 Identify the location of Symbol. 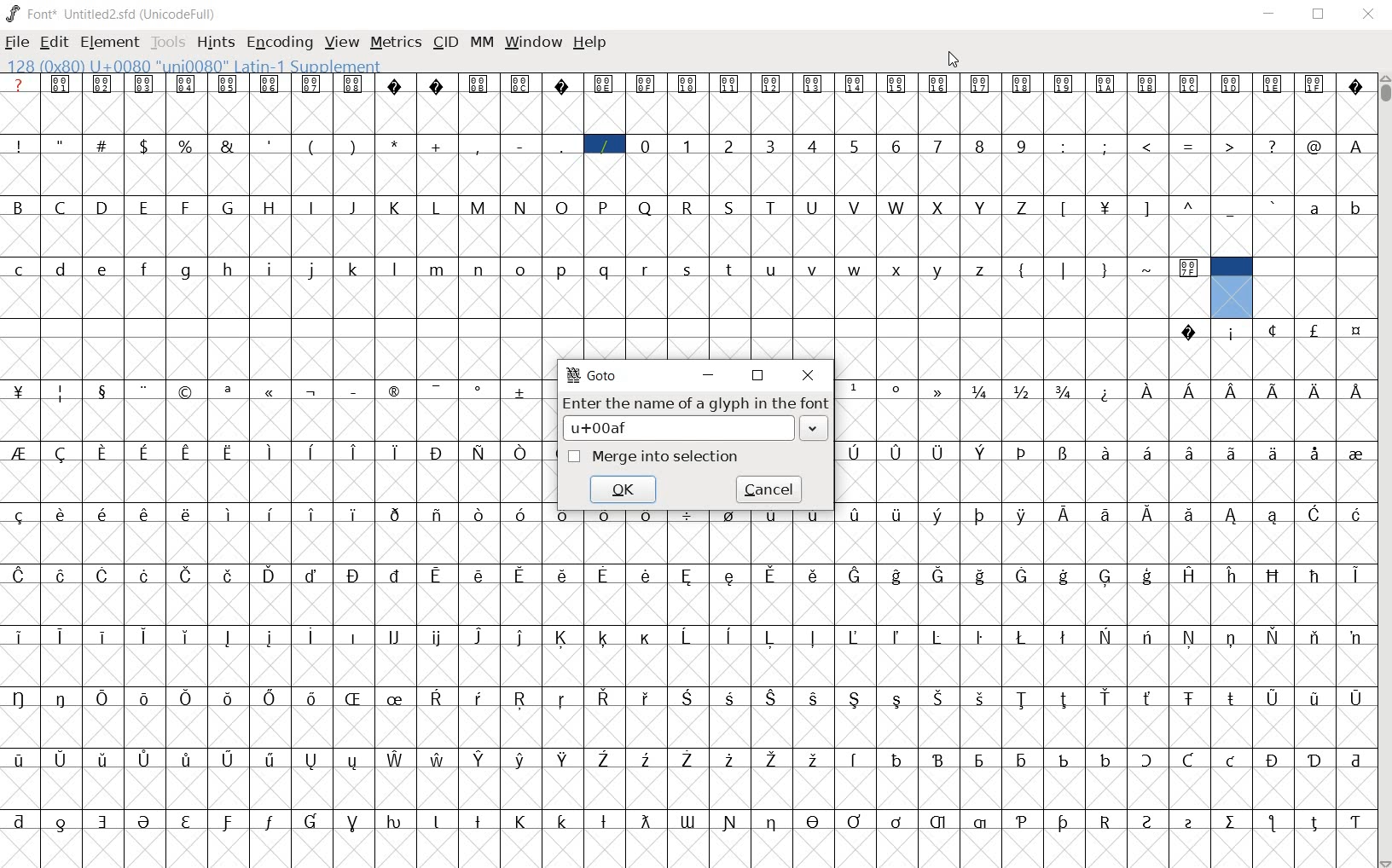
(937, 819).